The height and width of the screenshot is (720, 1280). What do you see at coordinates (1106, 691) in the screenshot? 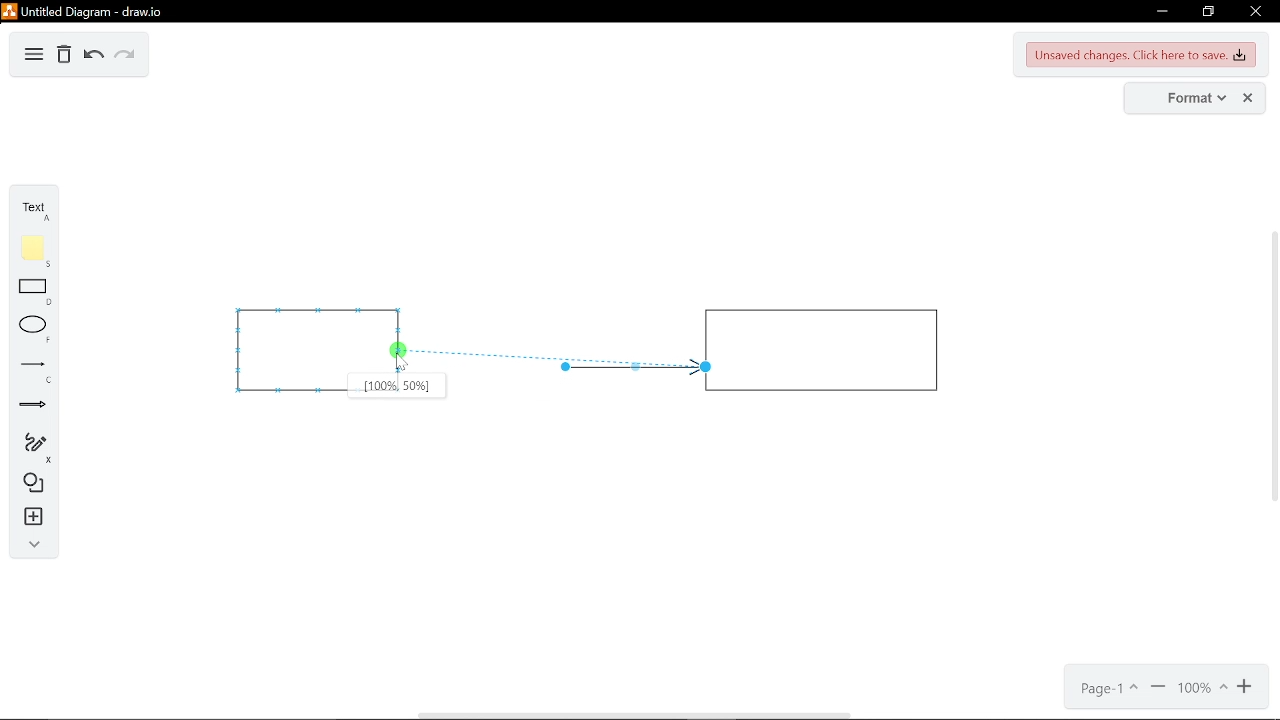
I see `current page` at bounding box center [1106, 691].